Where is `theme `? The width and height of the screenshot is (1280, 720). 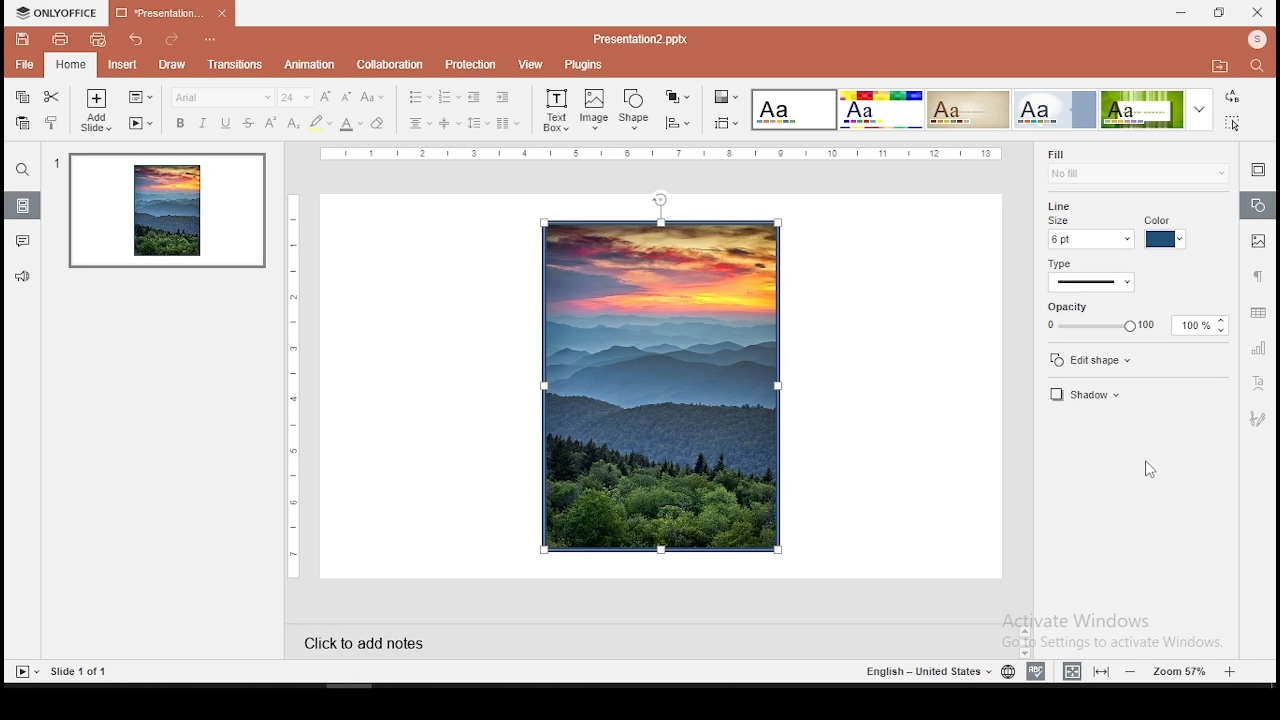
theme  is located at coordinates (794, 109).